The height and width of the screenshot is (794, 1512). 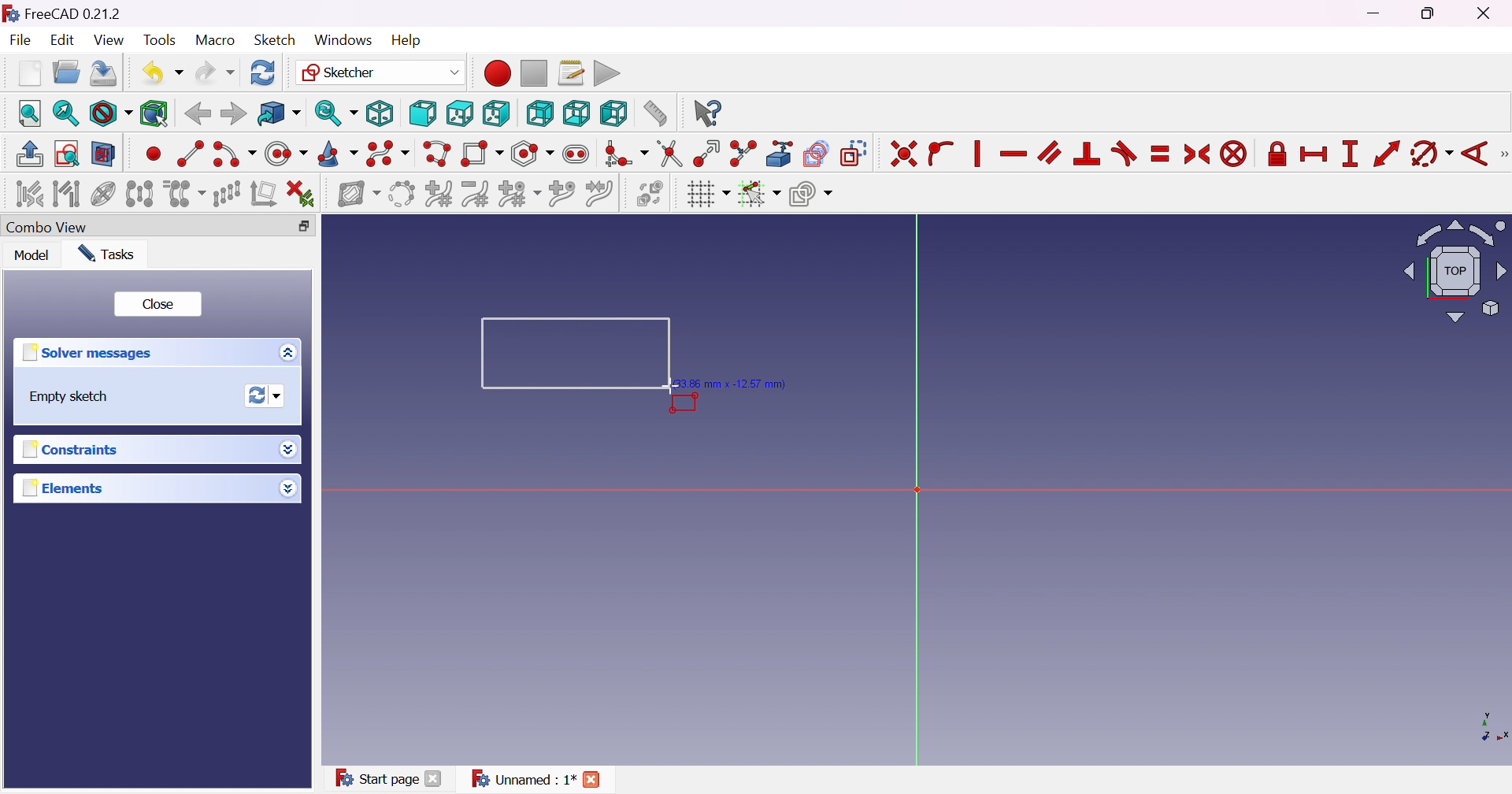 What do you see at coordinates (671, 154) in the screenshot?
I see `Trim edge` at bounding box center [671, 154].